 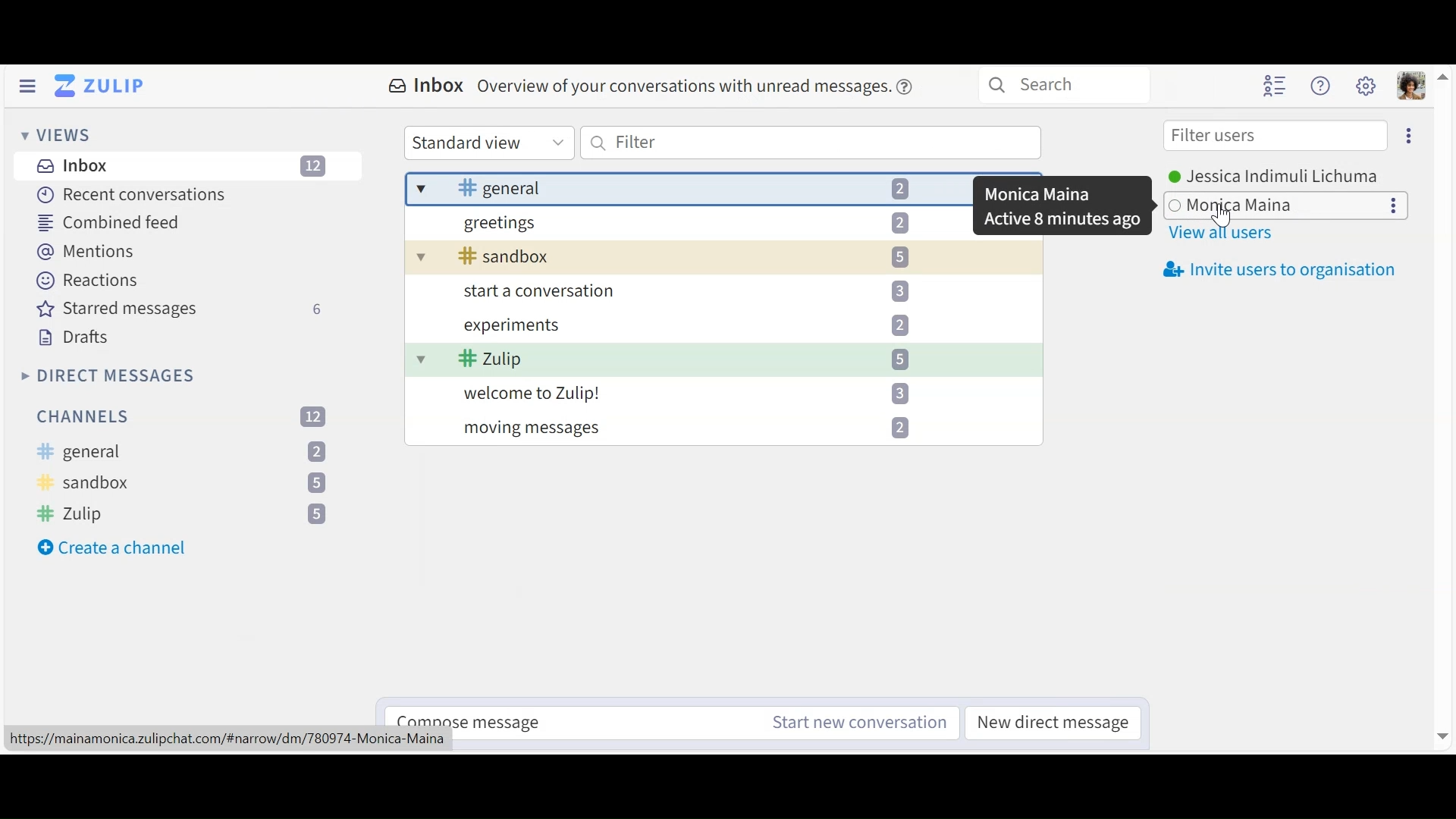 What do you see at coordinates (1407, 136) in the screenshot?
I see `Eclipse` at bounding box center [1407, 136].